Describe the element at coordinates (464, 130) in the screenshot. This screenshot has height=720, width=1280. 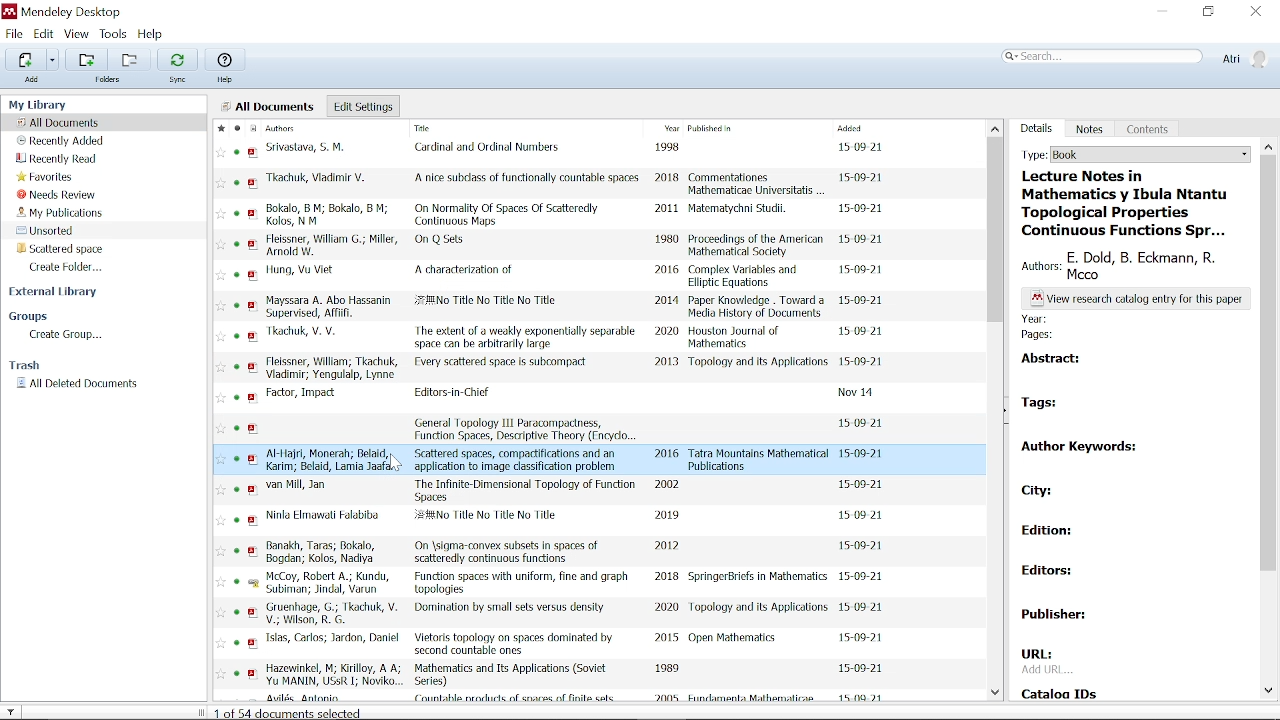
I see `Title` at that location.